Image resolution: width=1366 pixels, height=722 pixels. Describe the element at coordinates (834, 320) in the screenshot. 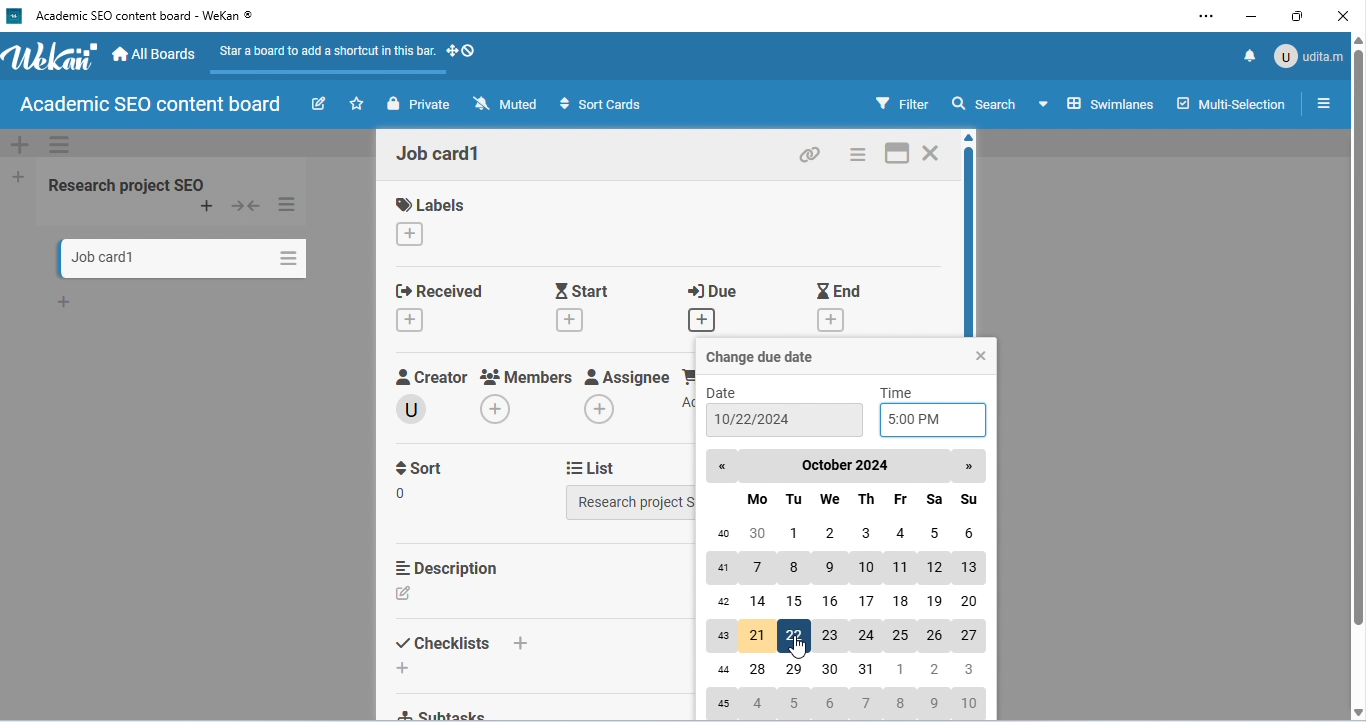

I see `add end date` at that location.